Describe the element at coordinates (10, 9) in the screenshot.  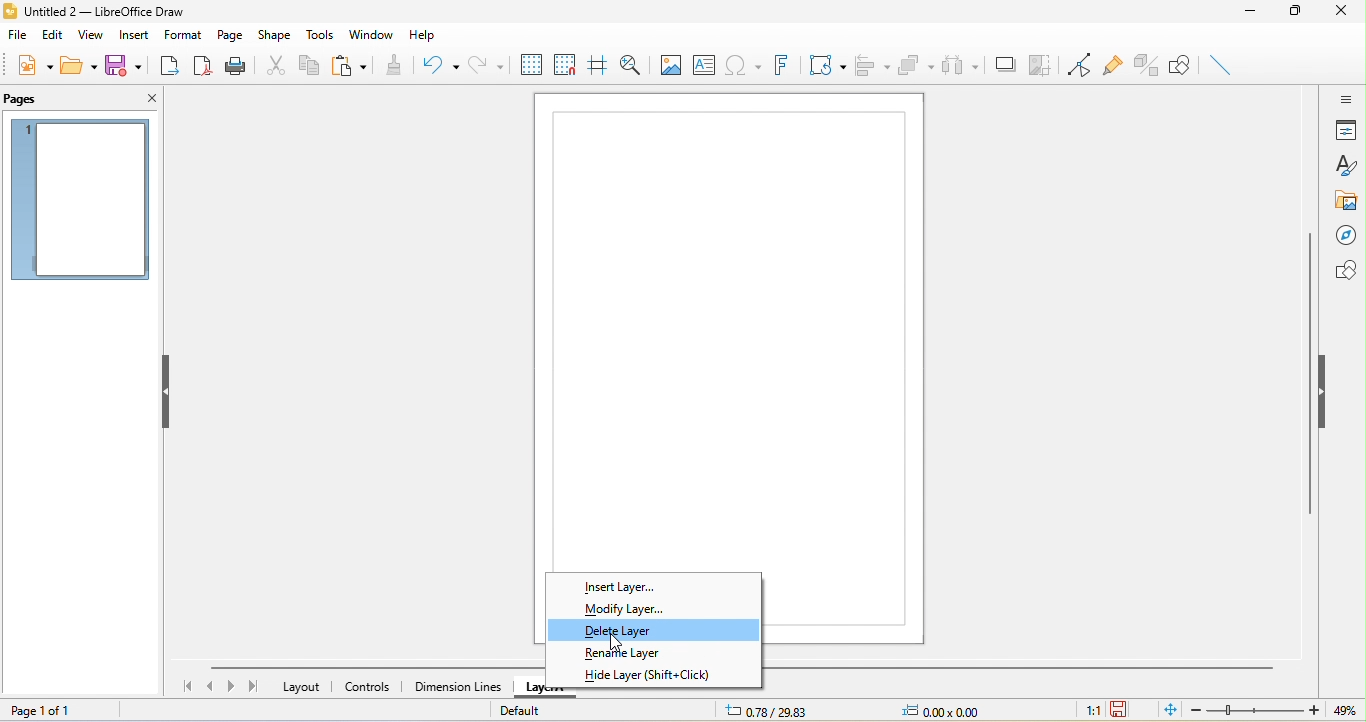
I see `logo` at that location.